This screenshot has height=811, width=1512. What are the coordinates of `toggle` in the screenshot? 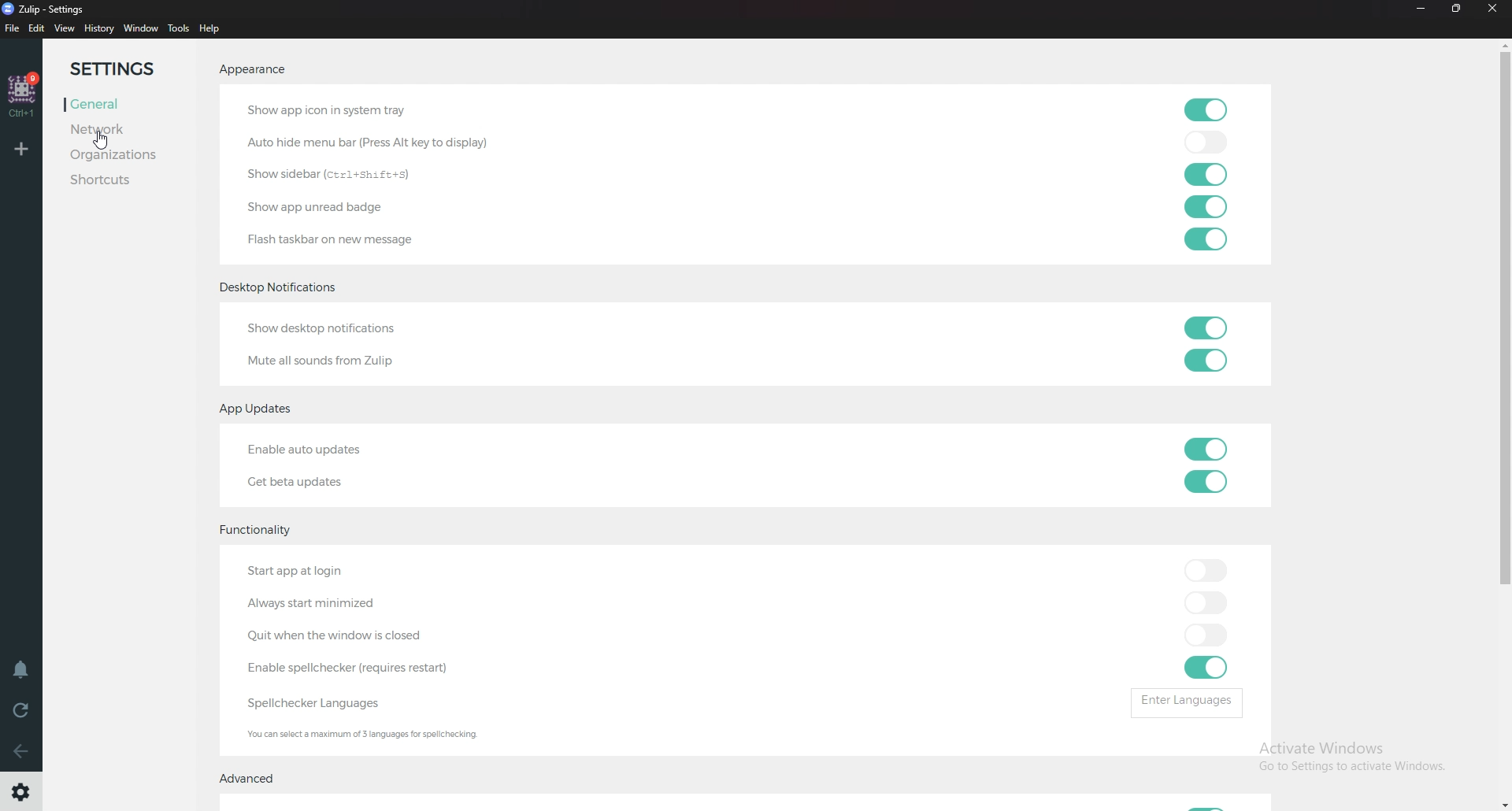 It's located at (1205, 668).